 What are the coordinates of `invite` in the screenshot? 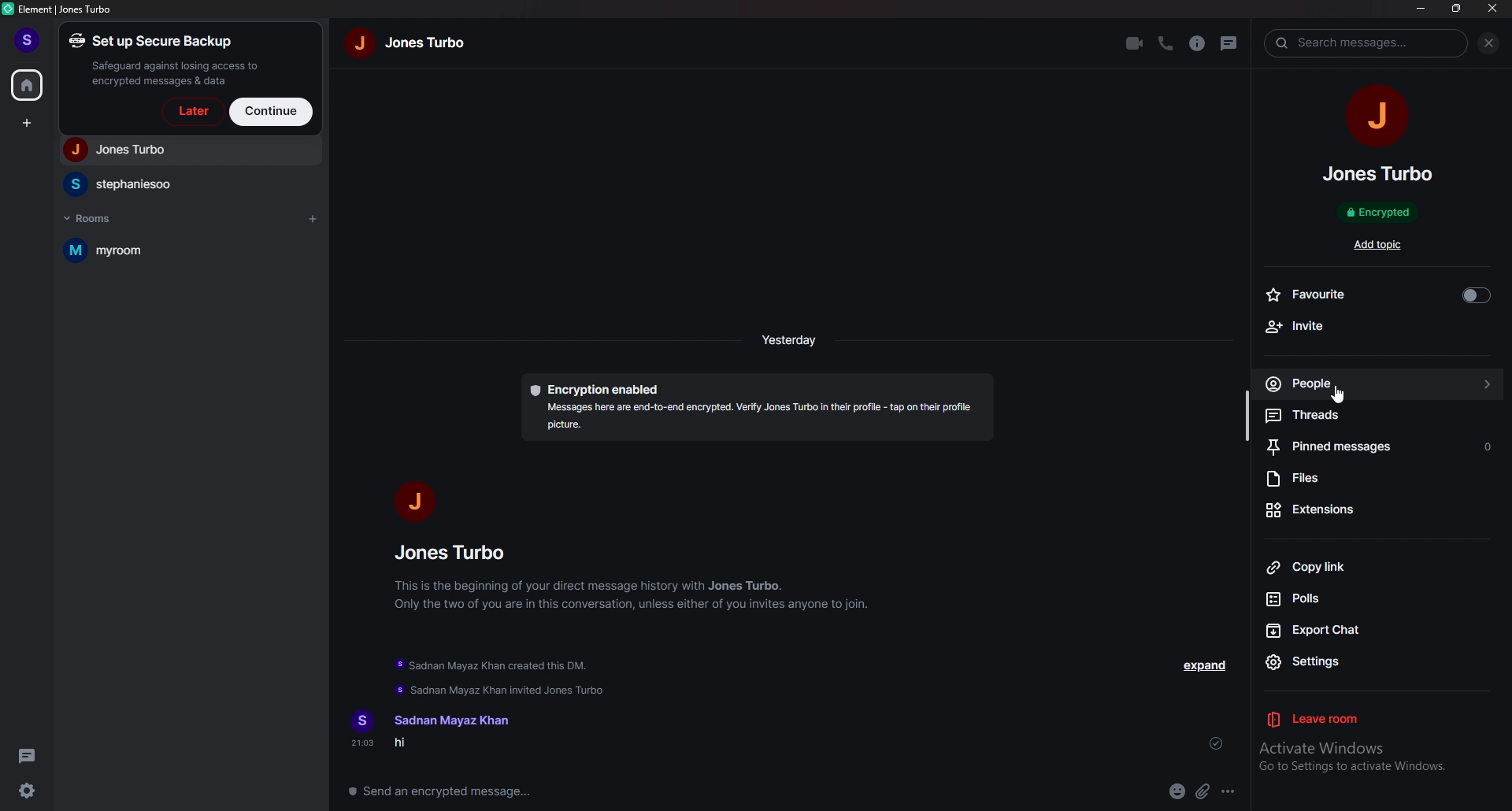 It's located at (1380, 325).